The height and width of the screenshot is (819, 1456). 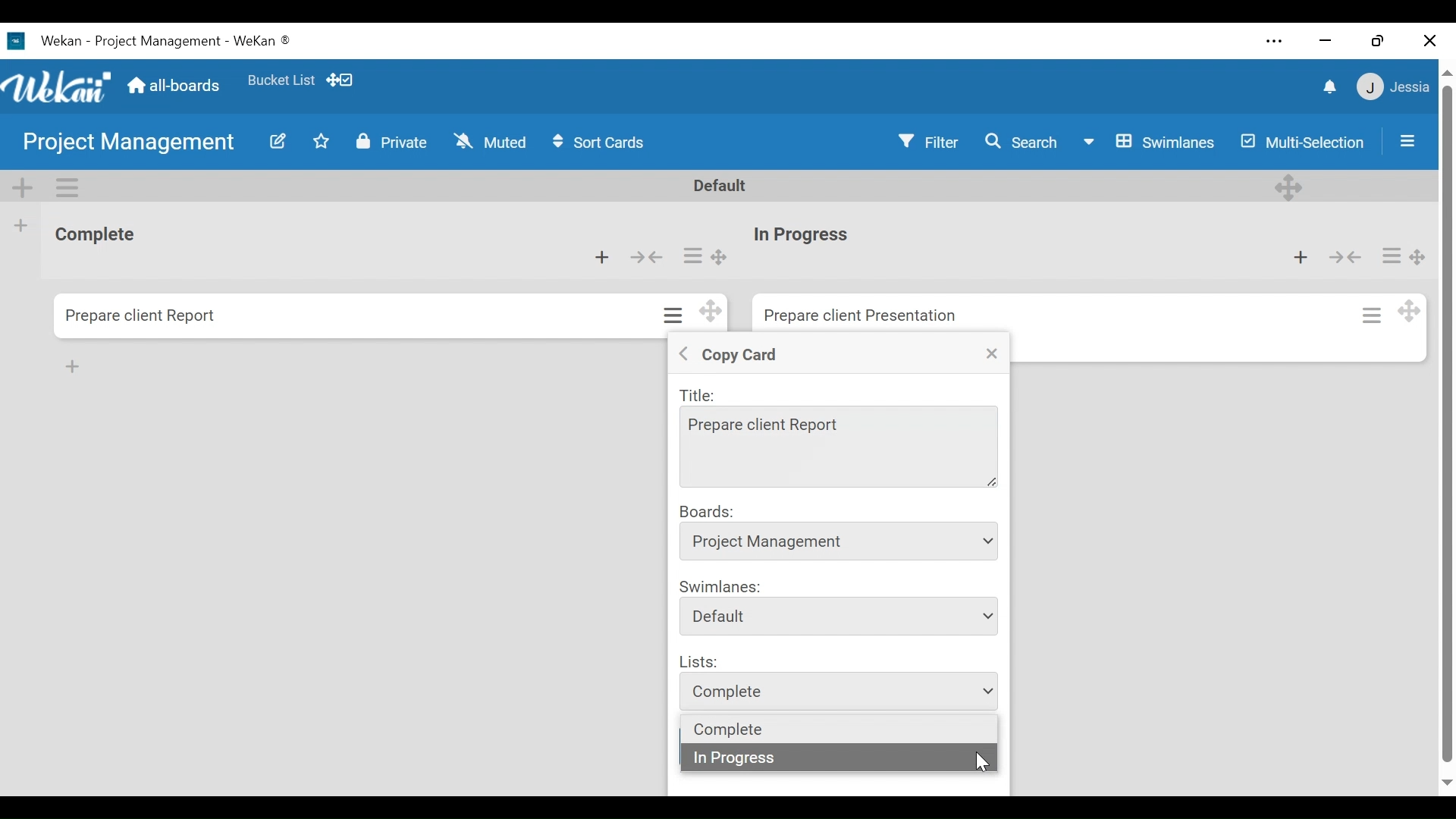 I want to click on Sidebar, so click(x=1414, y=141).